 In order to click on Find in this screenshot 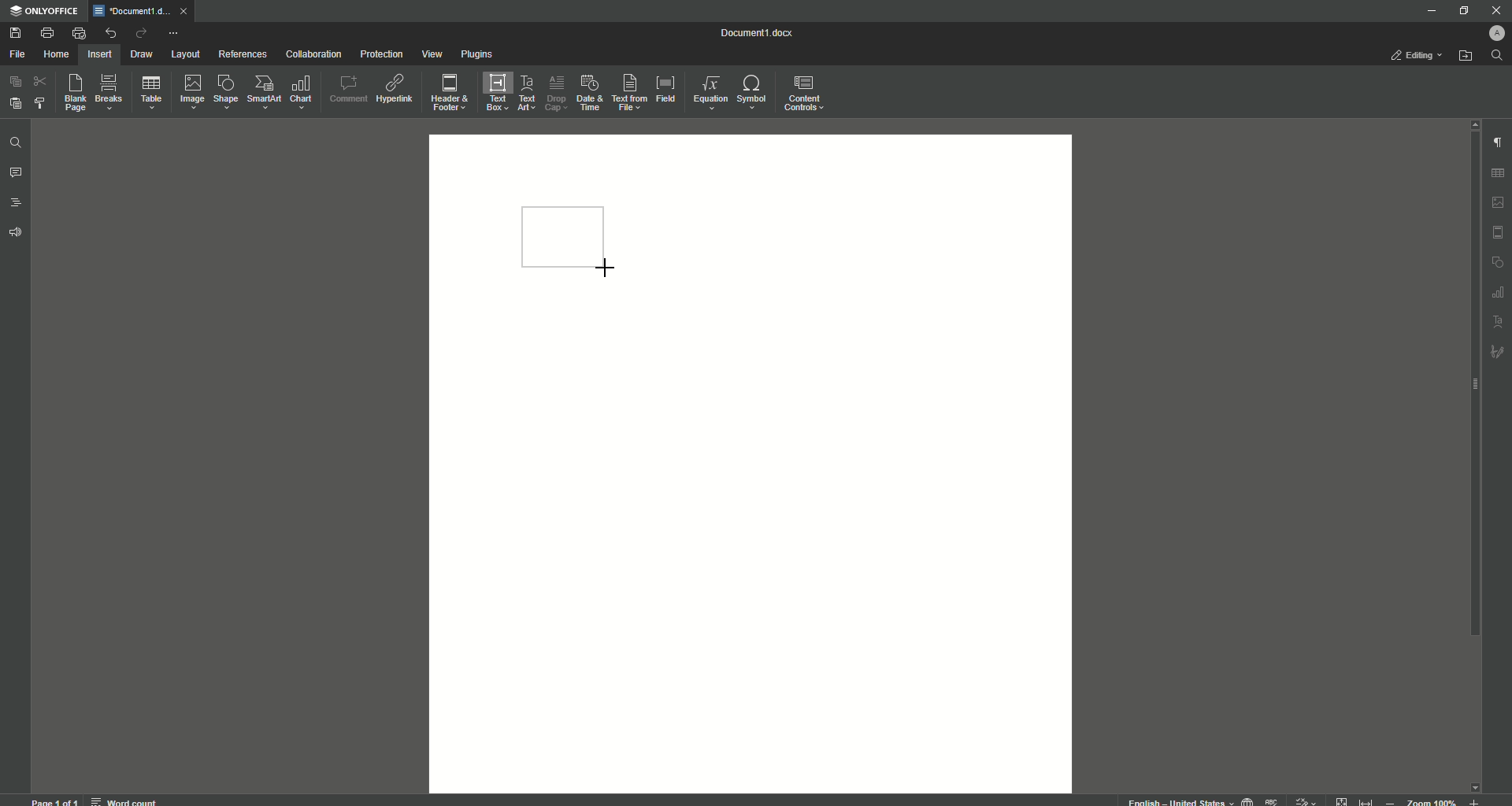, I will do `click(15, 144)`.